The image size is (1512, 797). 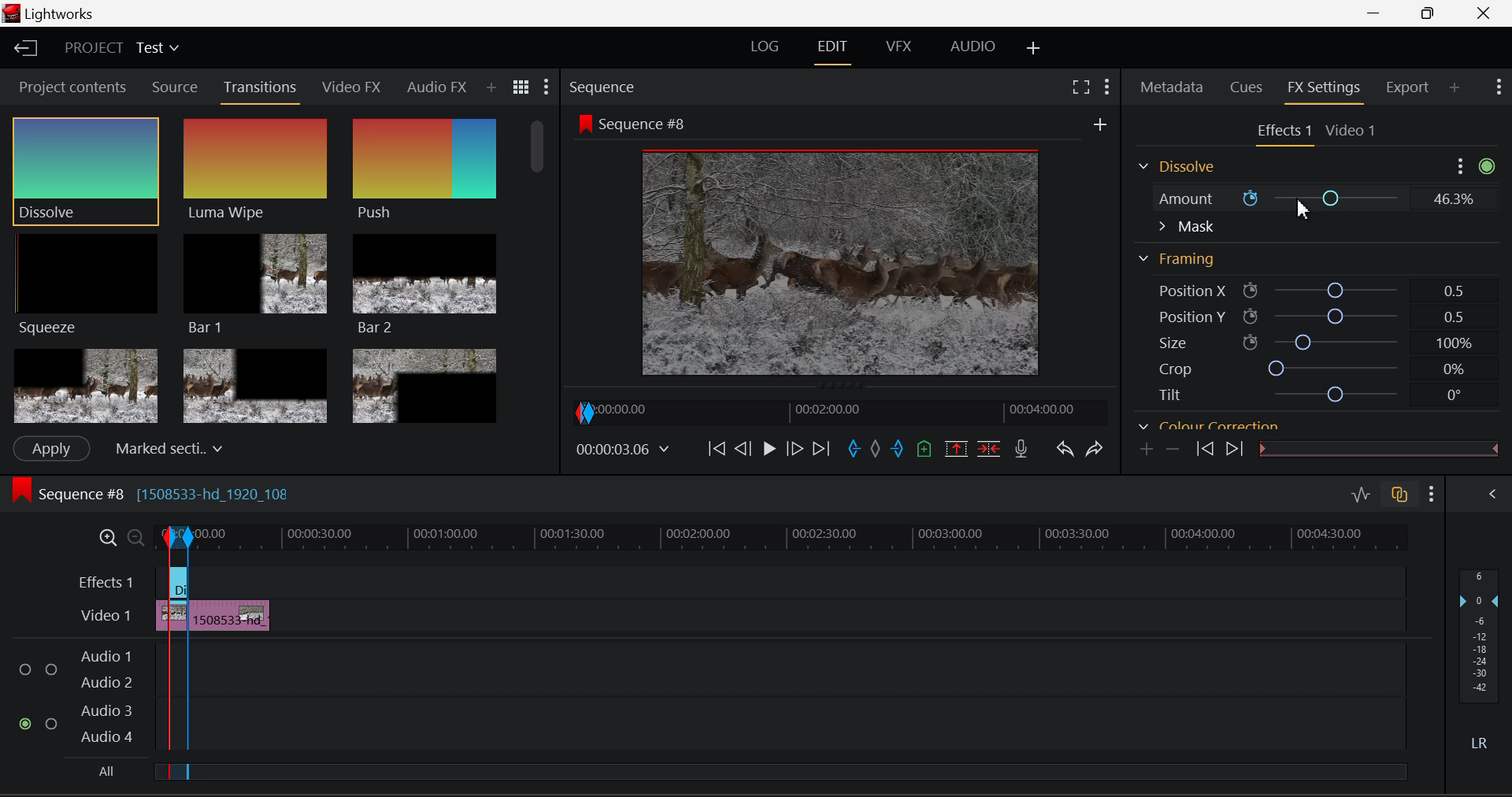 I want to click on Position Y, so click(x=1309, y=316).